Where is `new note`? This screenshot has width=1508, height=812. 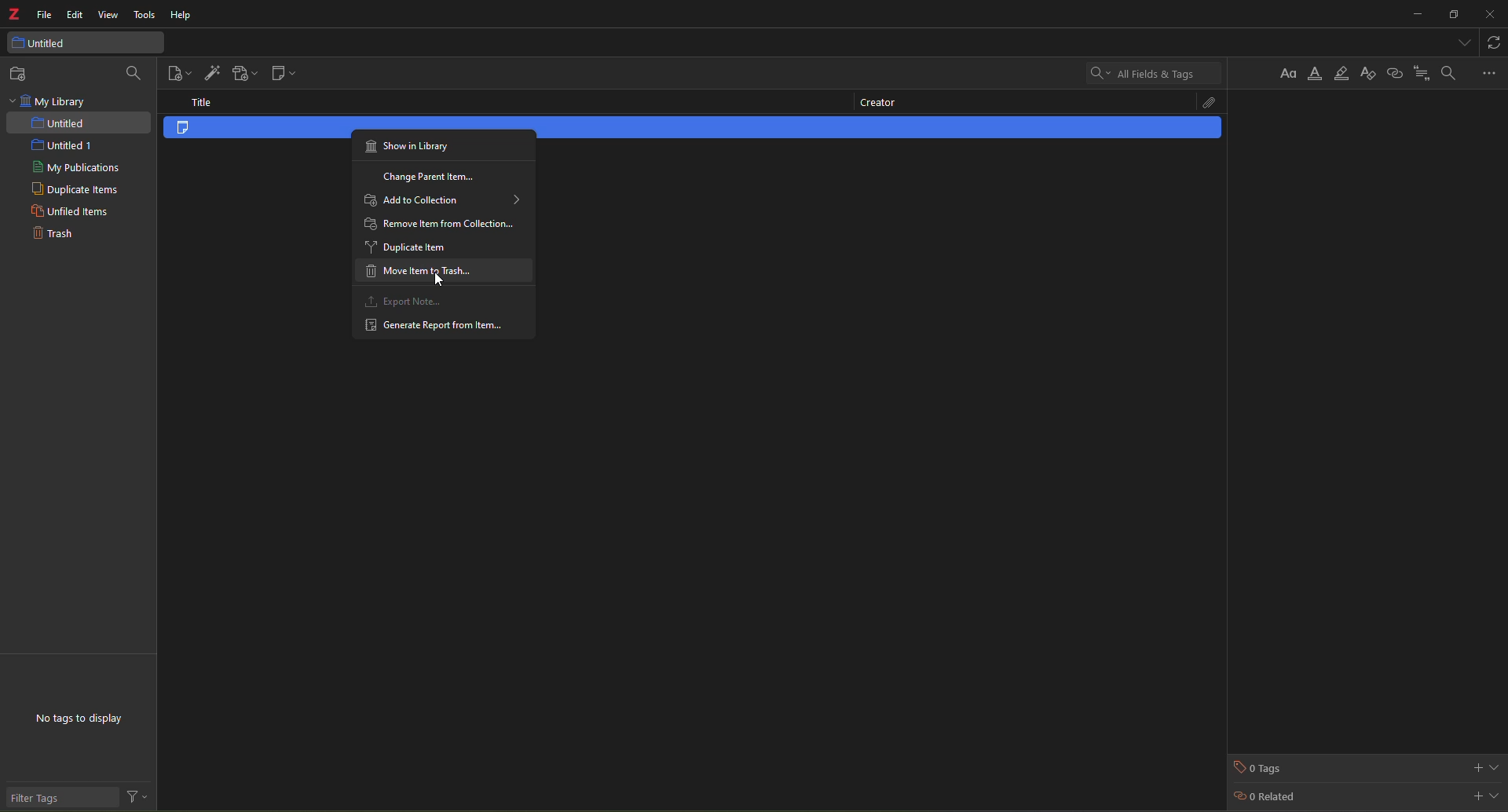 new note is located at coordinates (287, 74).